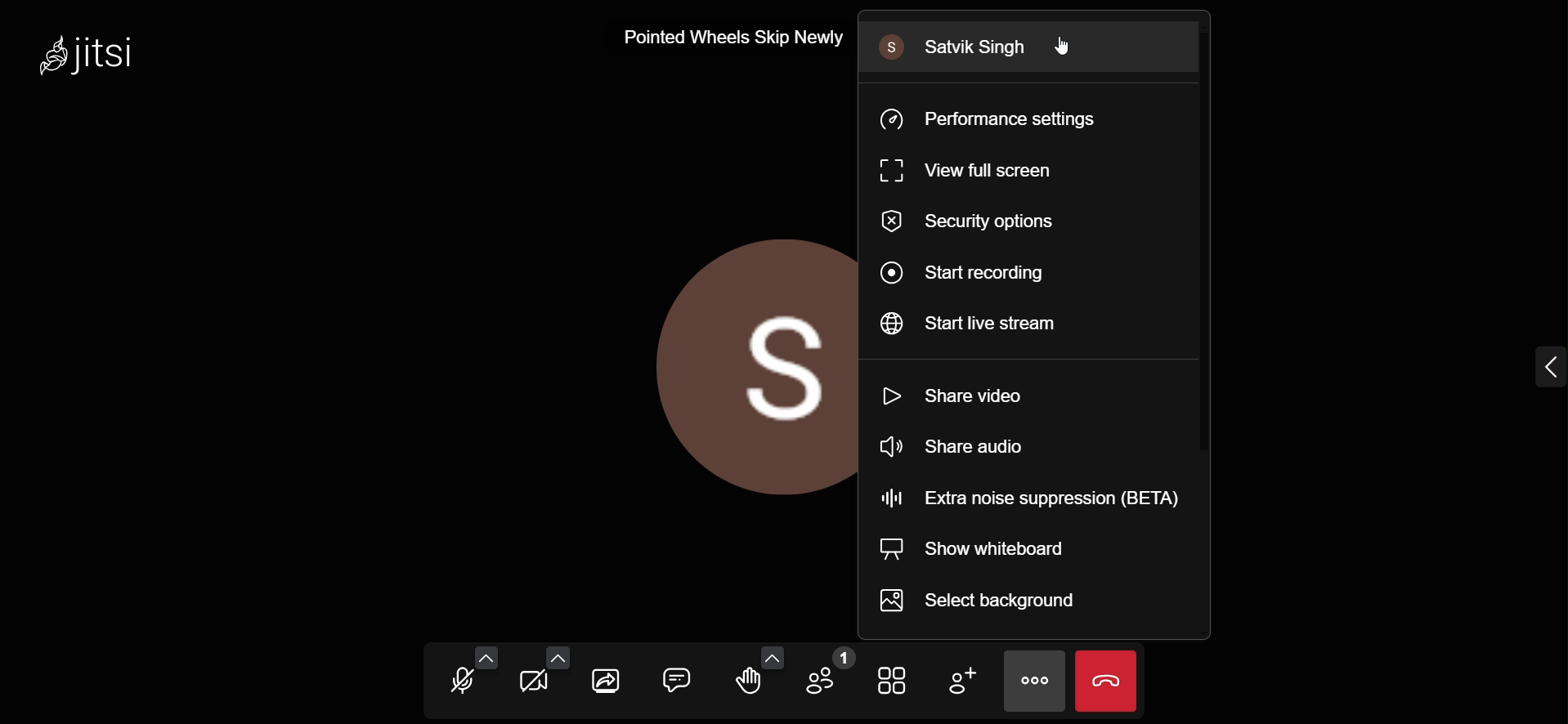  I want to click on start livestream, so click(988, 328).